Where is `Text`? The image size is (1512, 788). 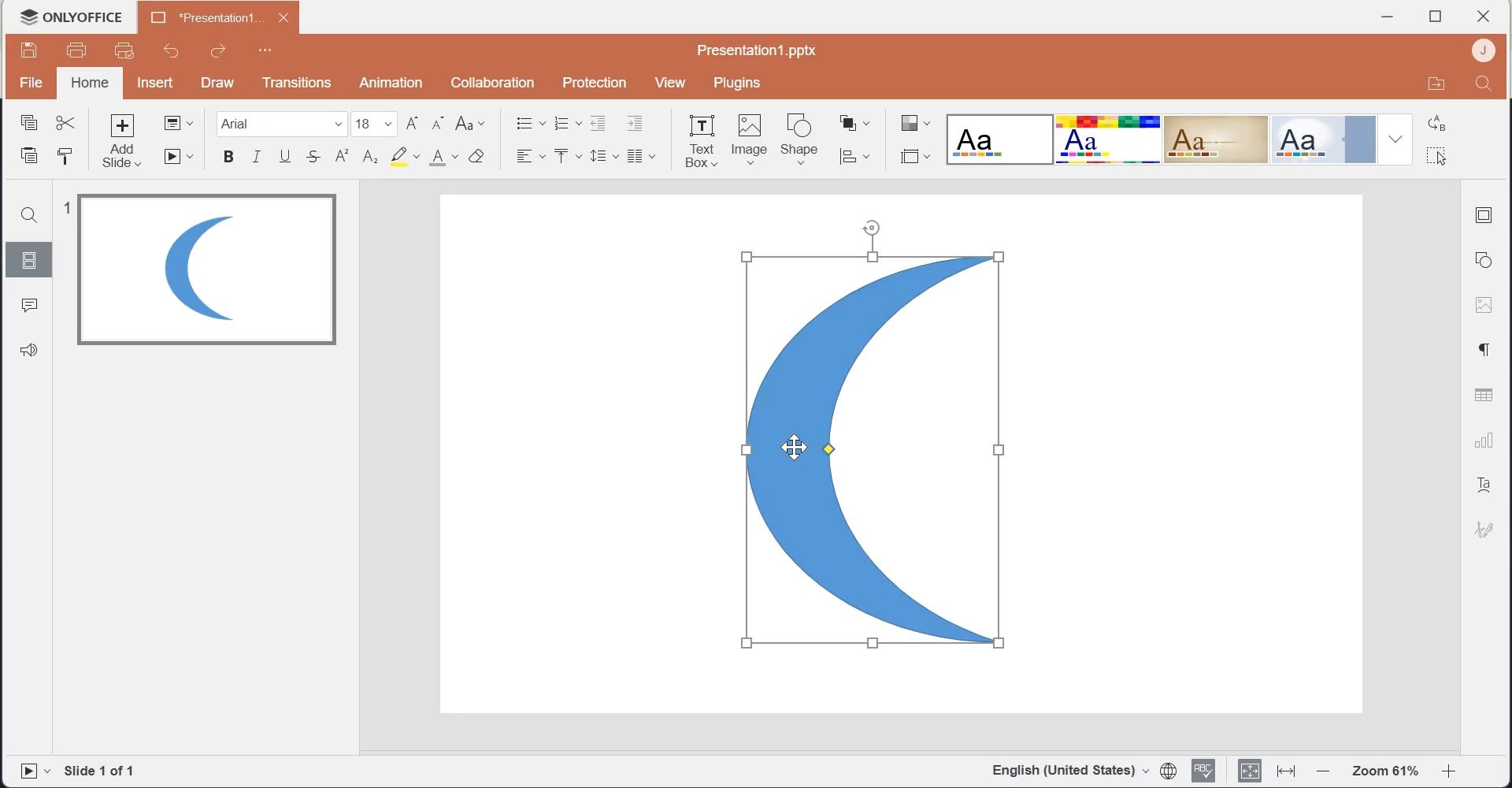 Text is located at coordinates (1488, 483).